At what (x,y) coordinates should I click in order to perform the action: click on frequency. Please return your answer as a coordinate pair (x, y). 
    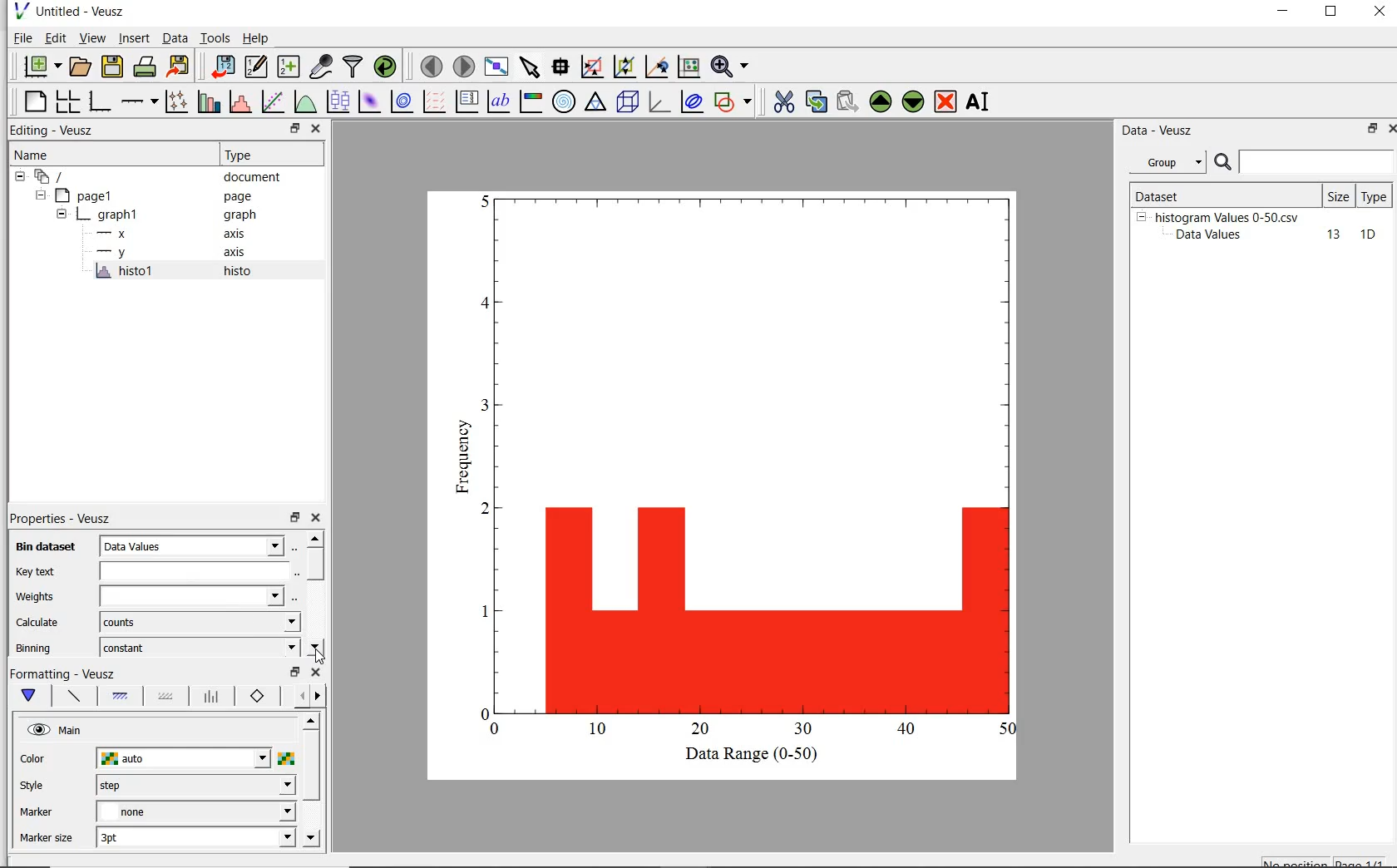
    Looking at the image, I should click on (460, 461).